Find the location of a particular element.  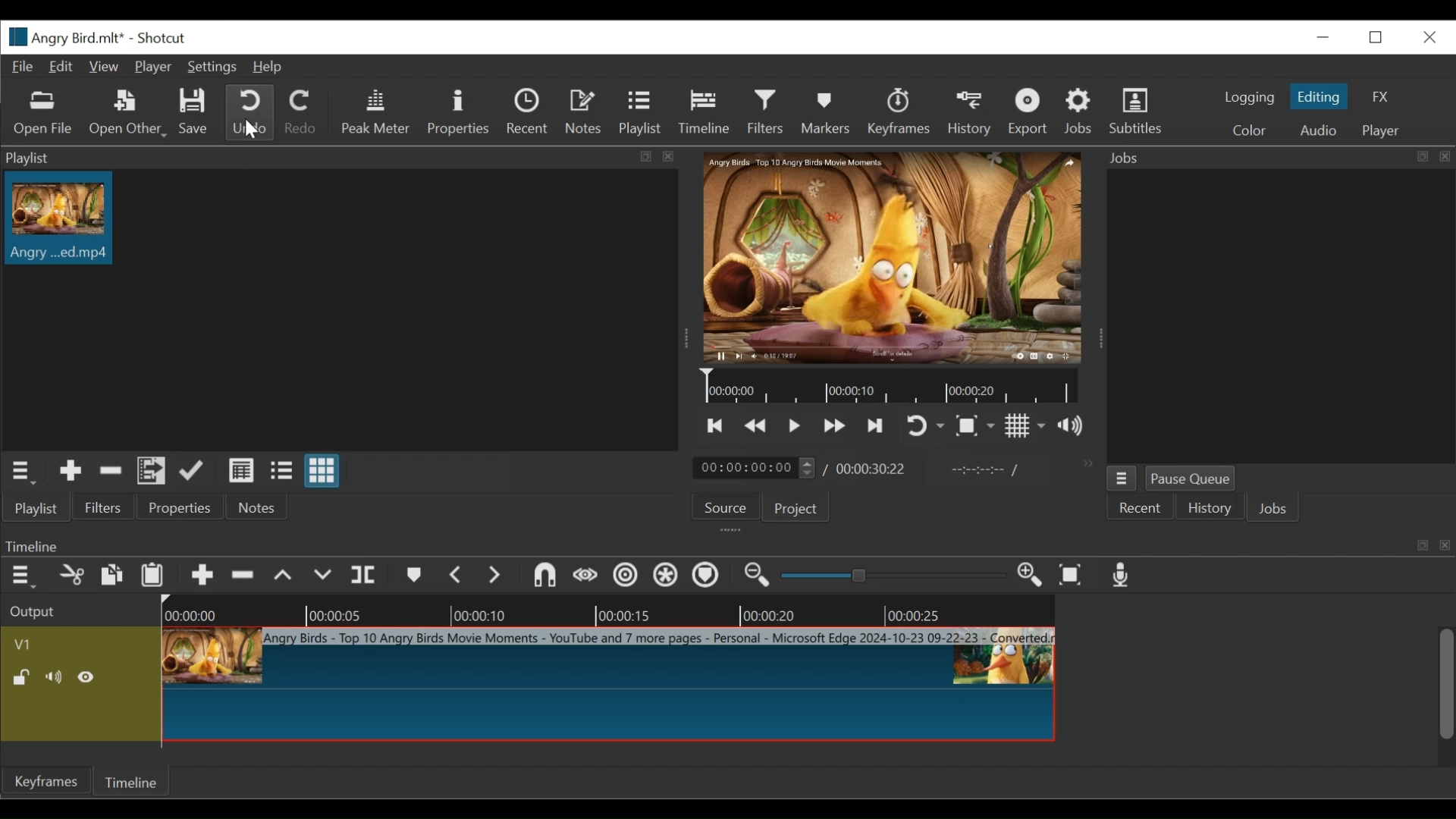

Close is located at coordinates (1428, 38).